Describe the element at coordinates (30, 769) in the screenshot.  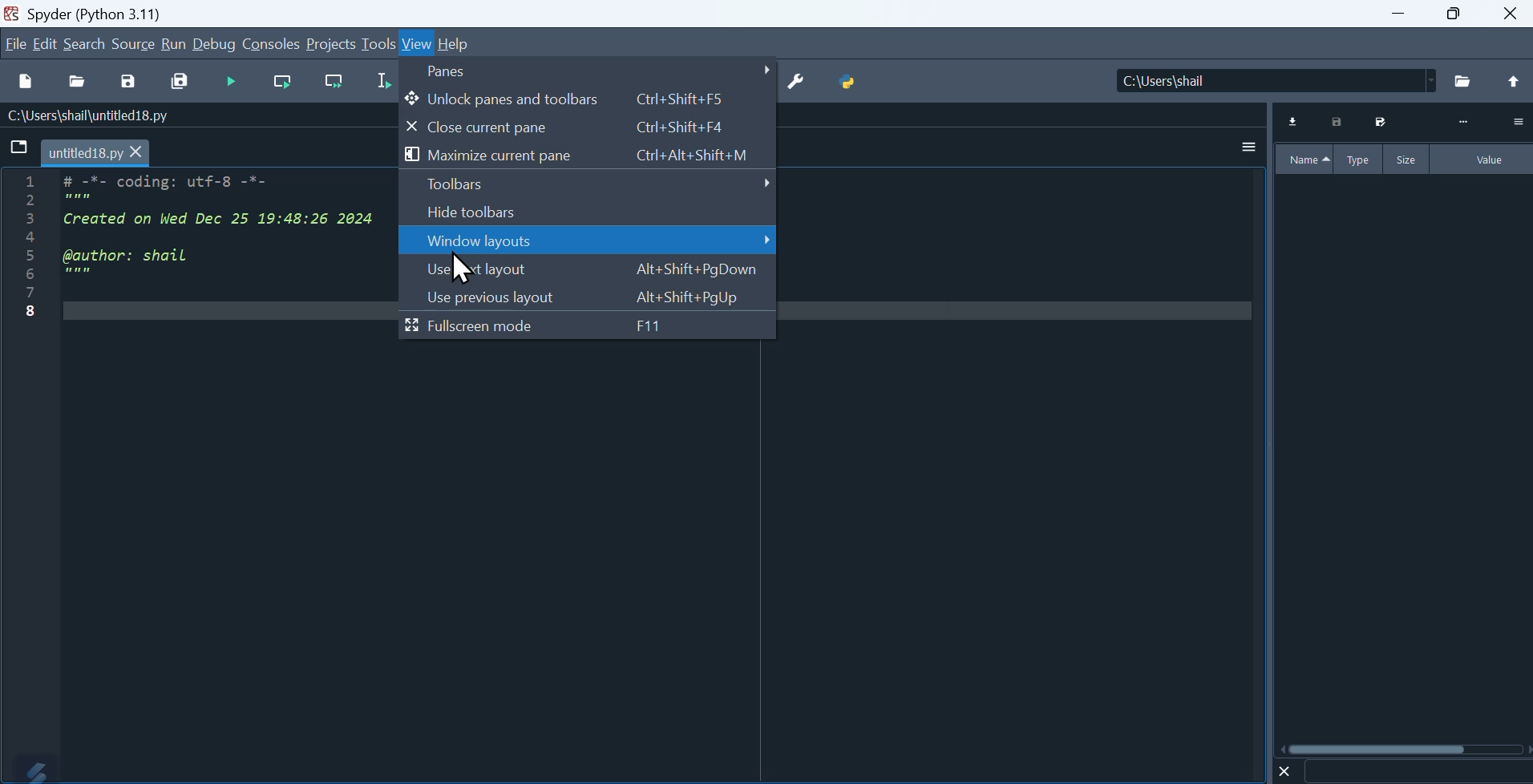
I see `Logo` at that location.